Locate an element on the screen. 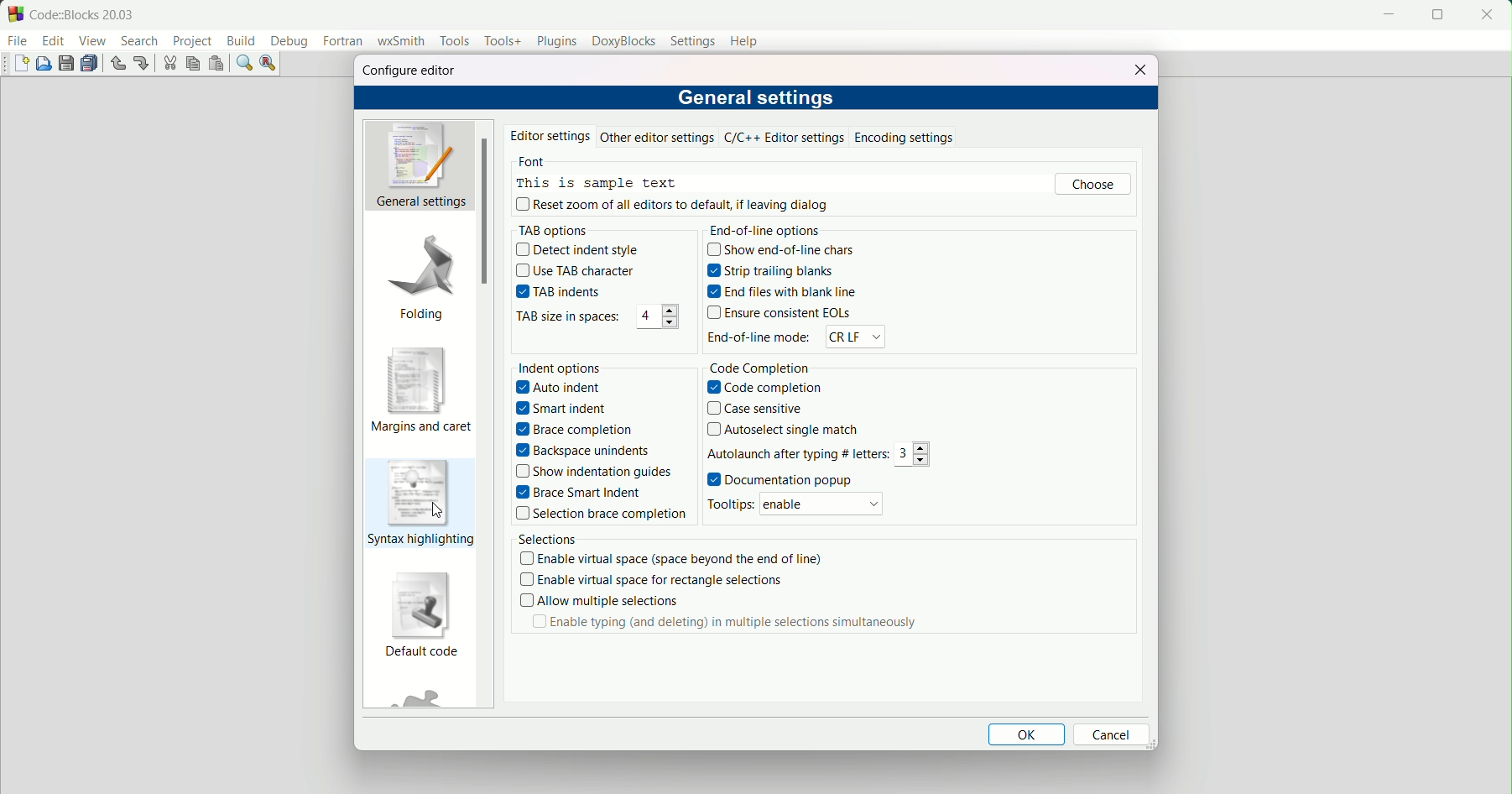 The height and width of the screenshot is (794, 1512). save all is located at coordinates (91, 65).